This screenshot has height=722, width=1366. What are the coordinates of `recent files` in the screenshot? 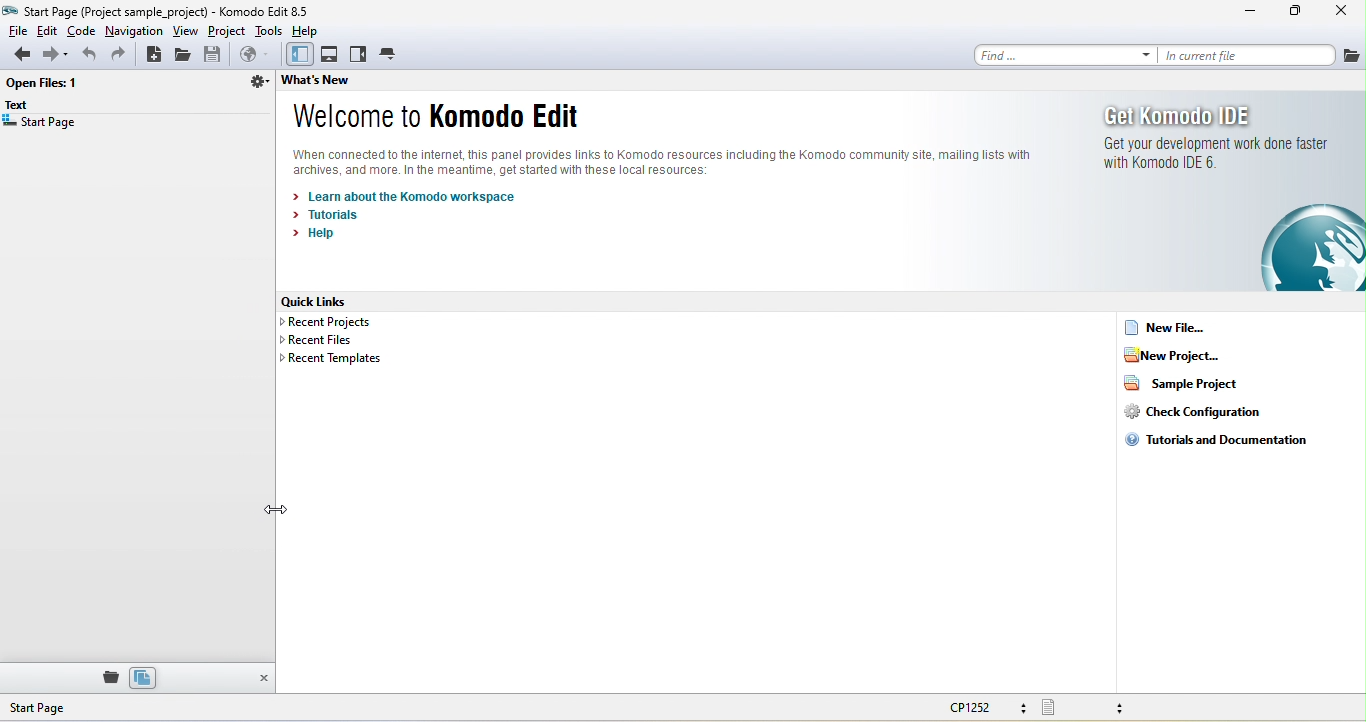 It's located at (323, 341).